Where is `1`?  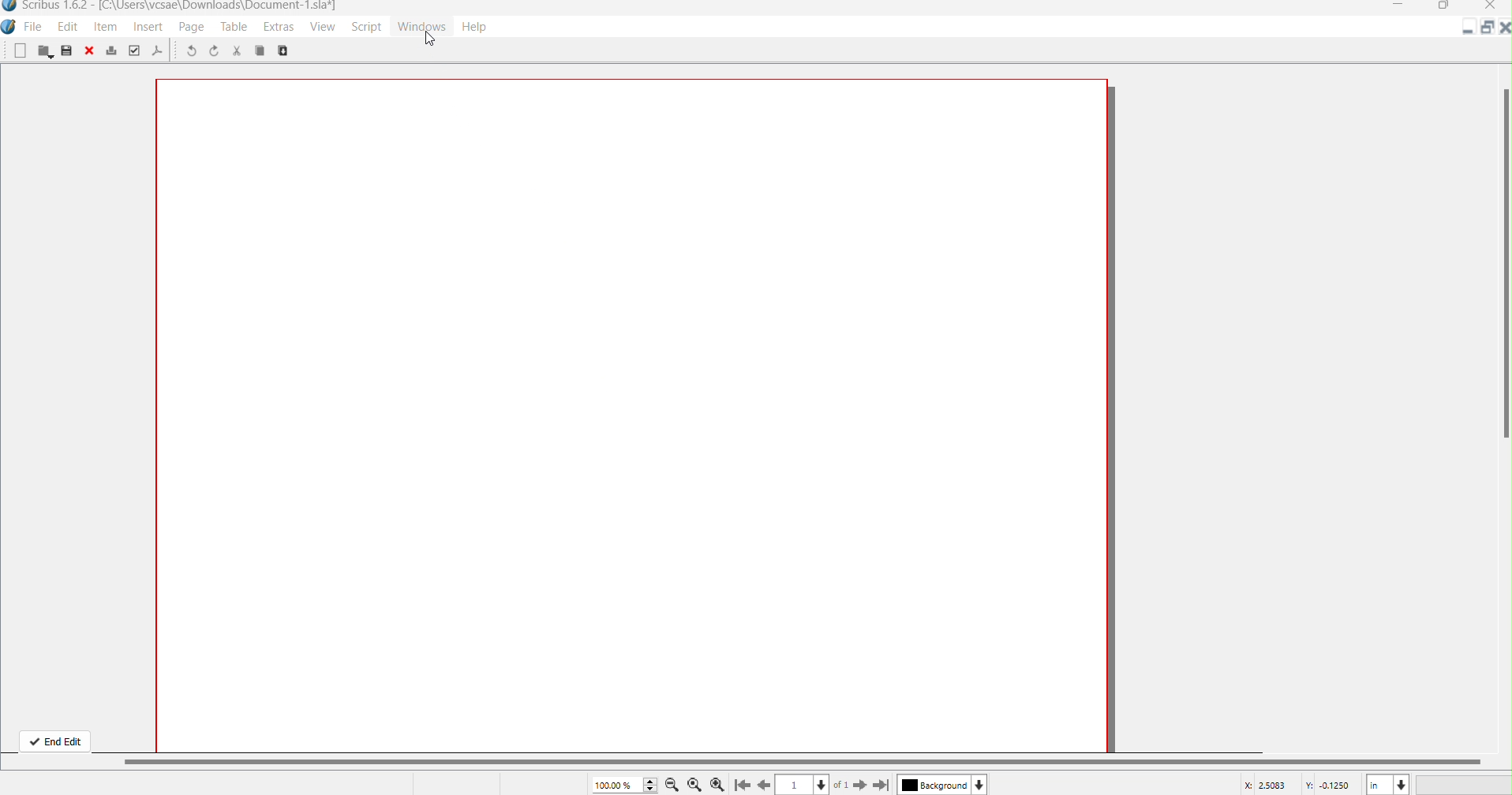
1 is located at coordinates (795, 785).